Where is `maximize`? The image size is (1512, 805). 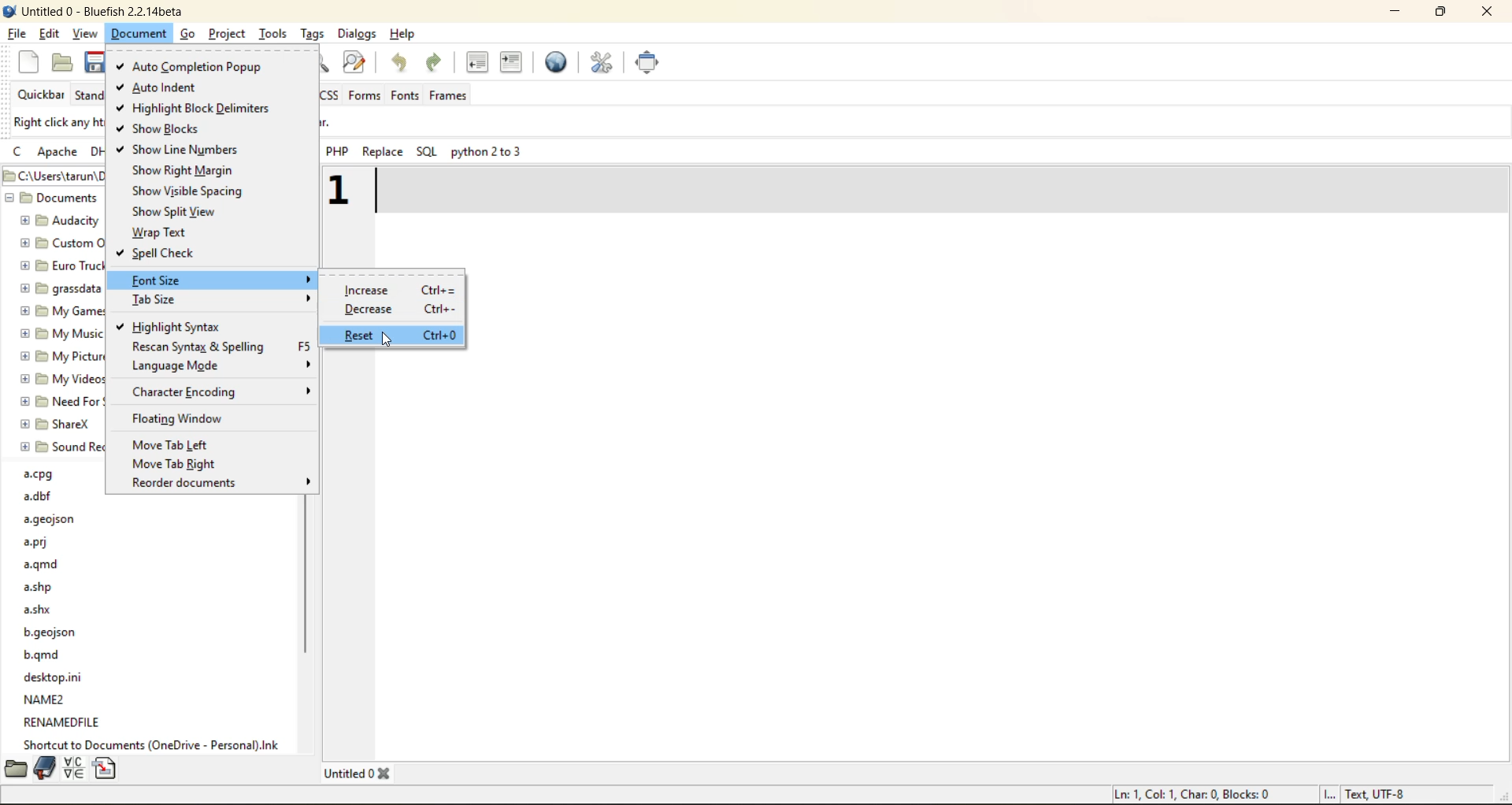 maximize is located at coordinates (1439, 12).